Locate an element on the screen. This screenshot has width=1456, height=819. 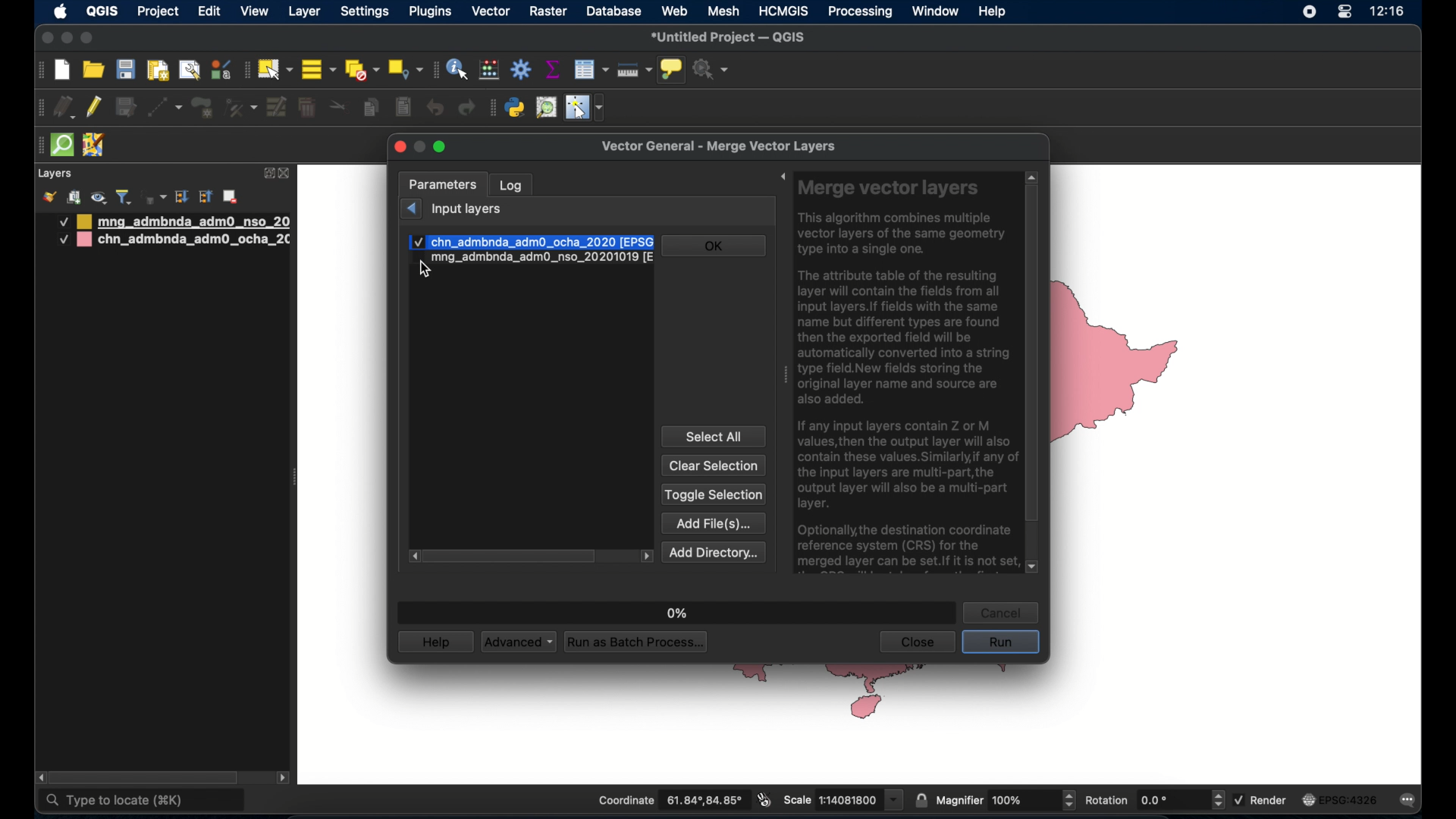
run as batch process is located at coordinates (637, 643).